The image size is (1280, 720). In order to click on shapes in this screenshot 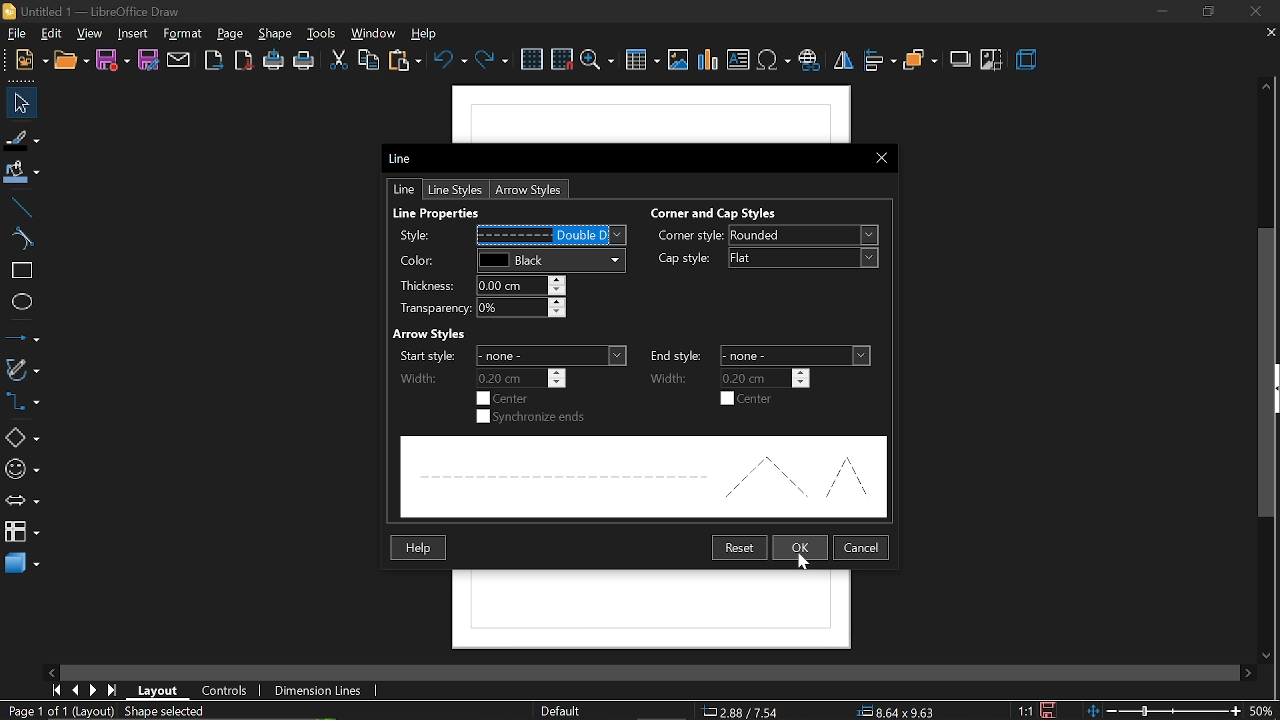, I will do `click(21, 436)`.